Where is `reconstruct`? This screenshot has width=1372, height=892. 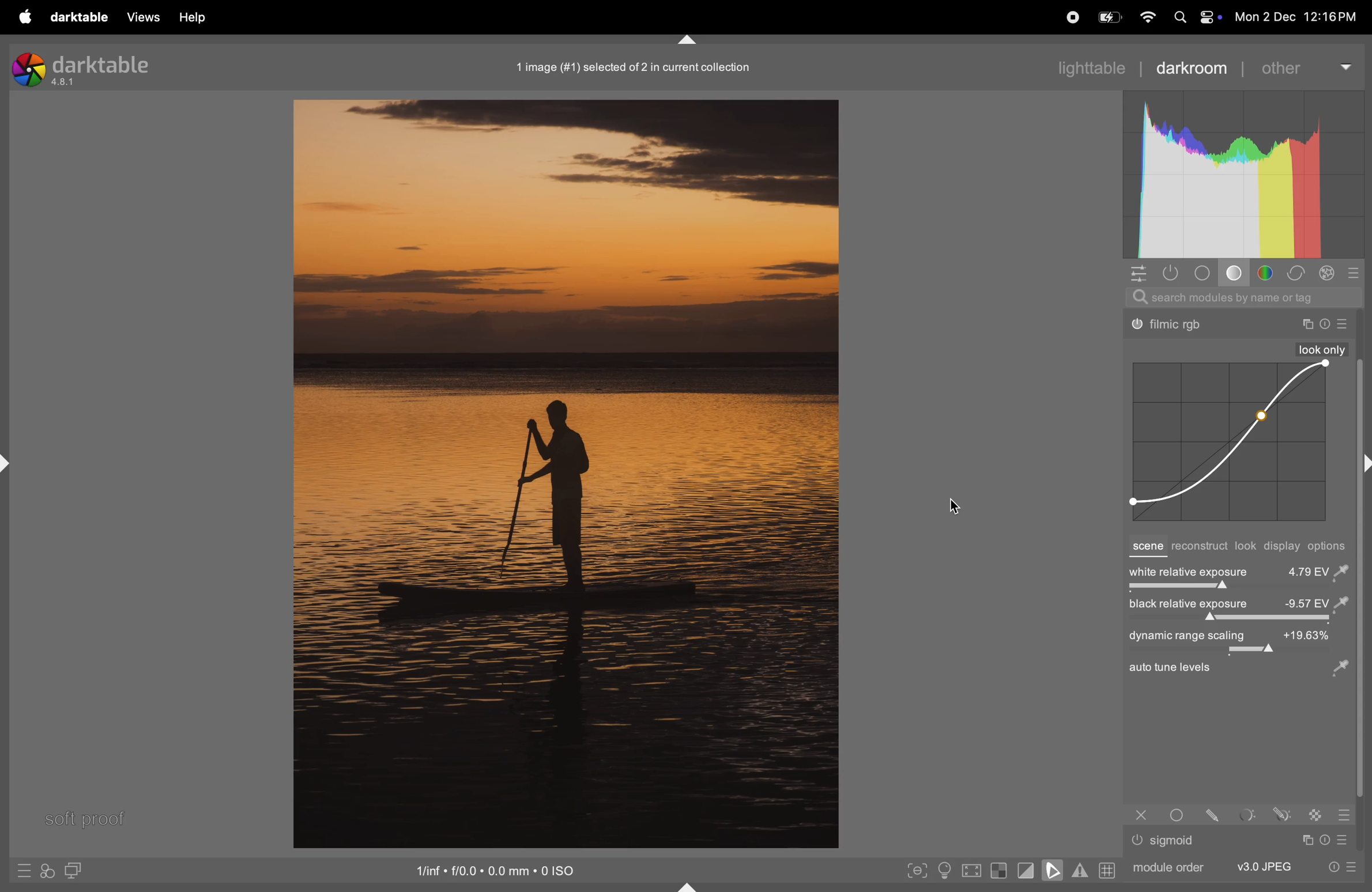
reconstruct is located at coordinates (1199, 547).